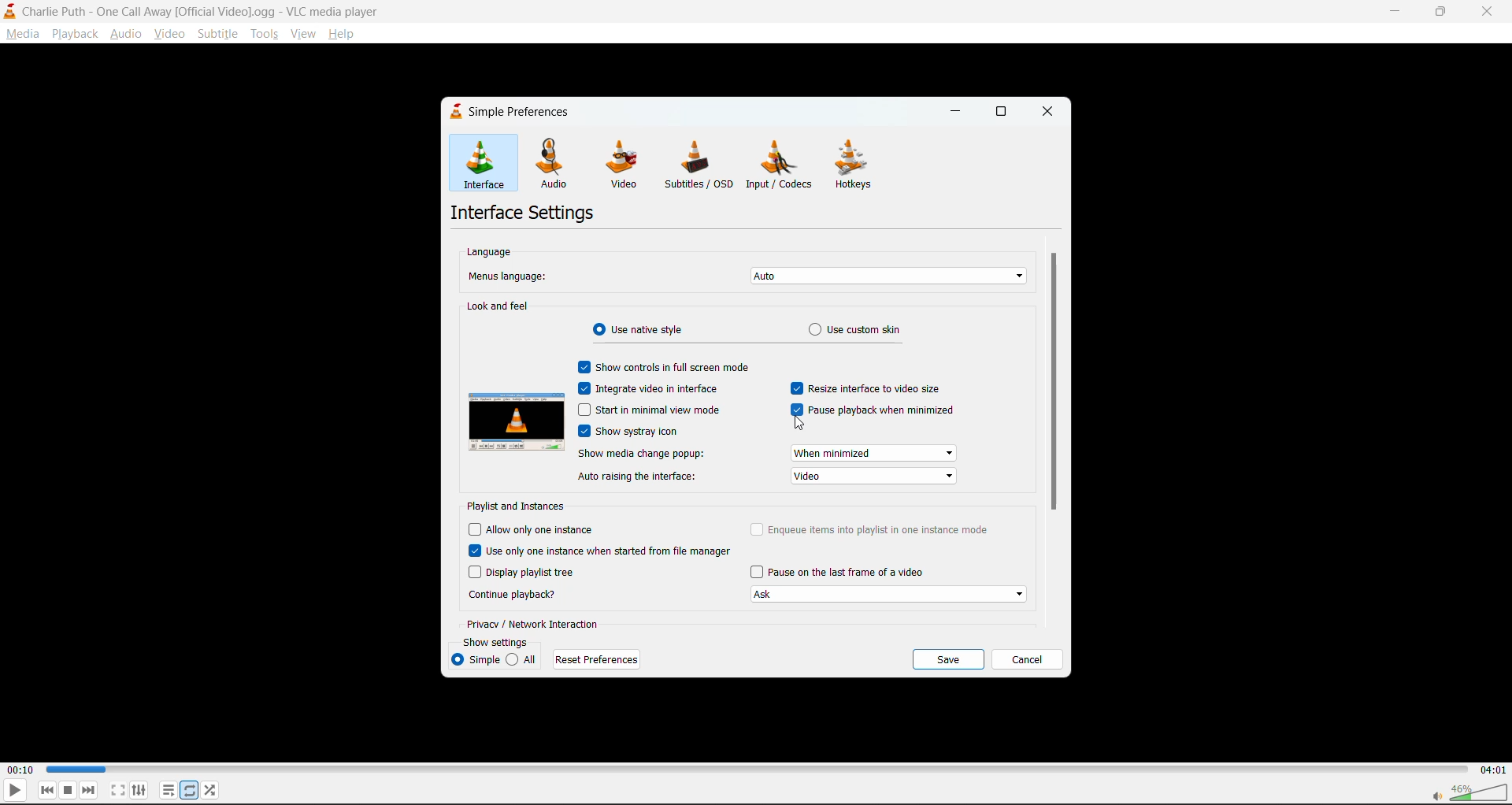 The height and width of the screenshot is (805, 1512). I want to click on pause playback when minimized, so click(884, 414).